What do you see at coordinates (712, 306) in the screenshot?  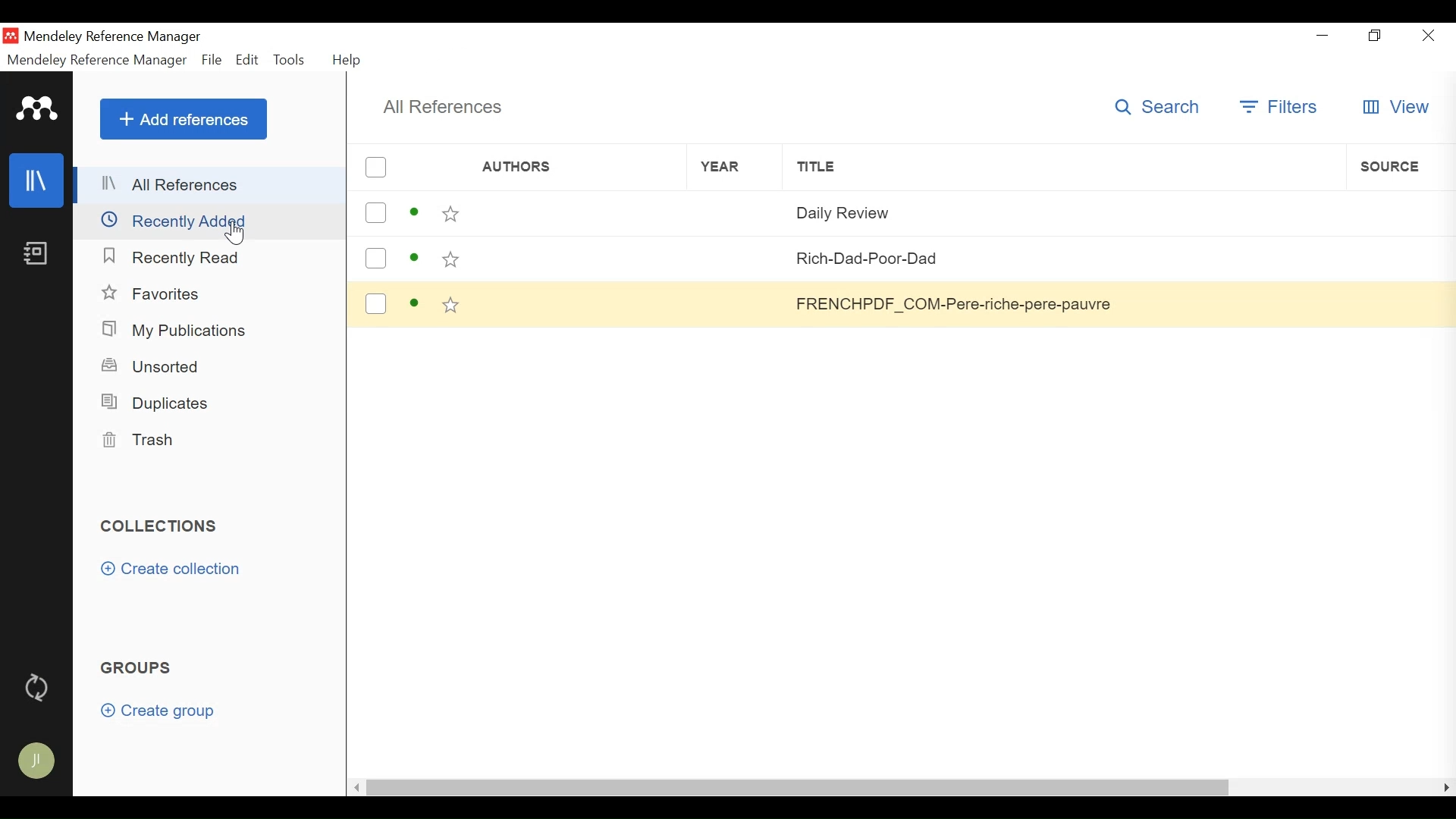 I see `Year` at bounding box center [712, 306].